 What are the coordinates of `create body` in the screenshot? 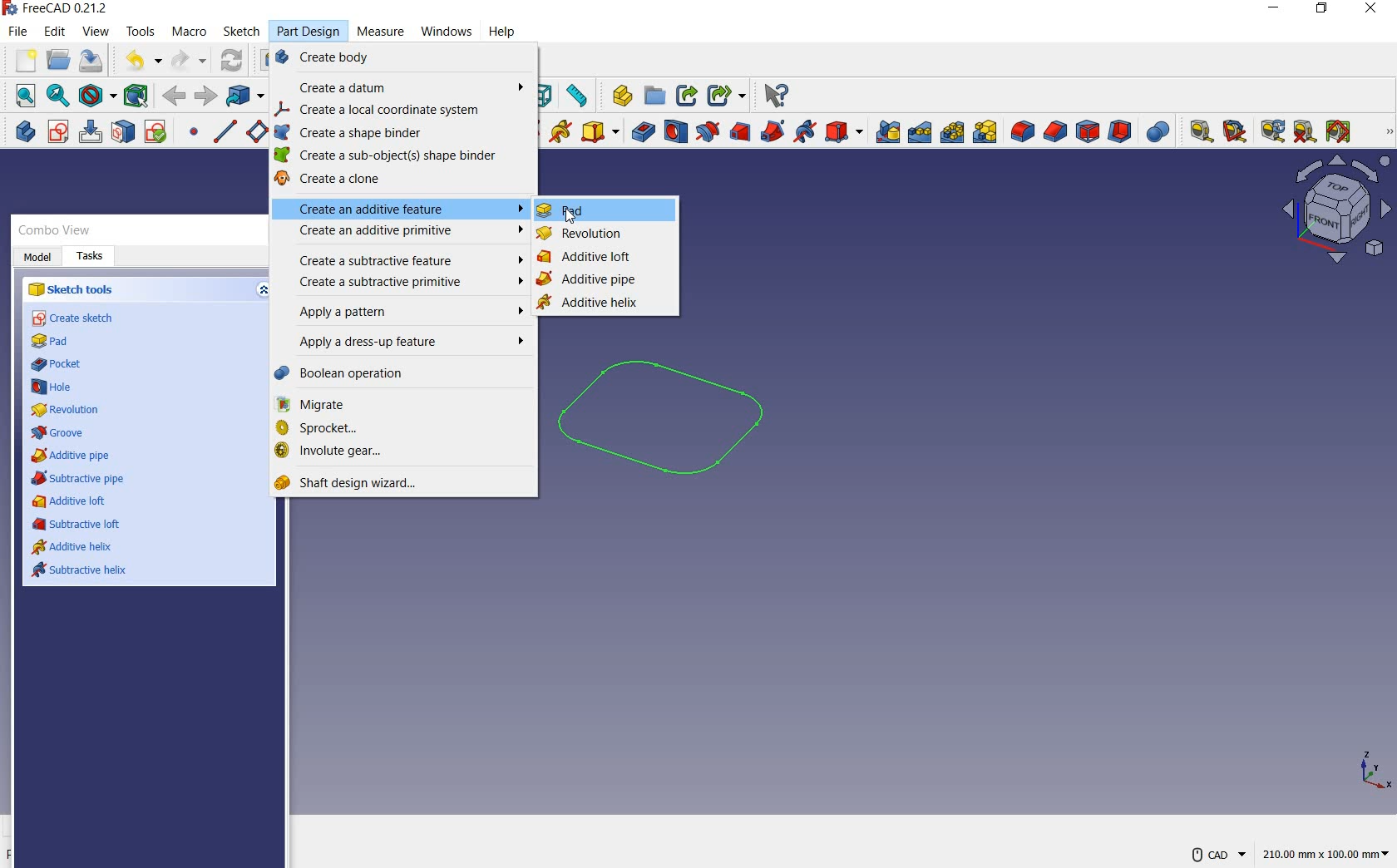 It's located at (403, 60).